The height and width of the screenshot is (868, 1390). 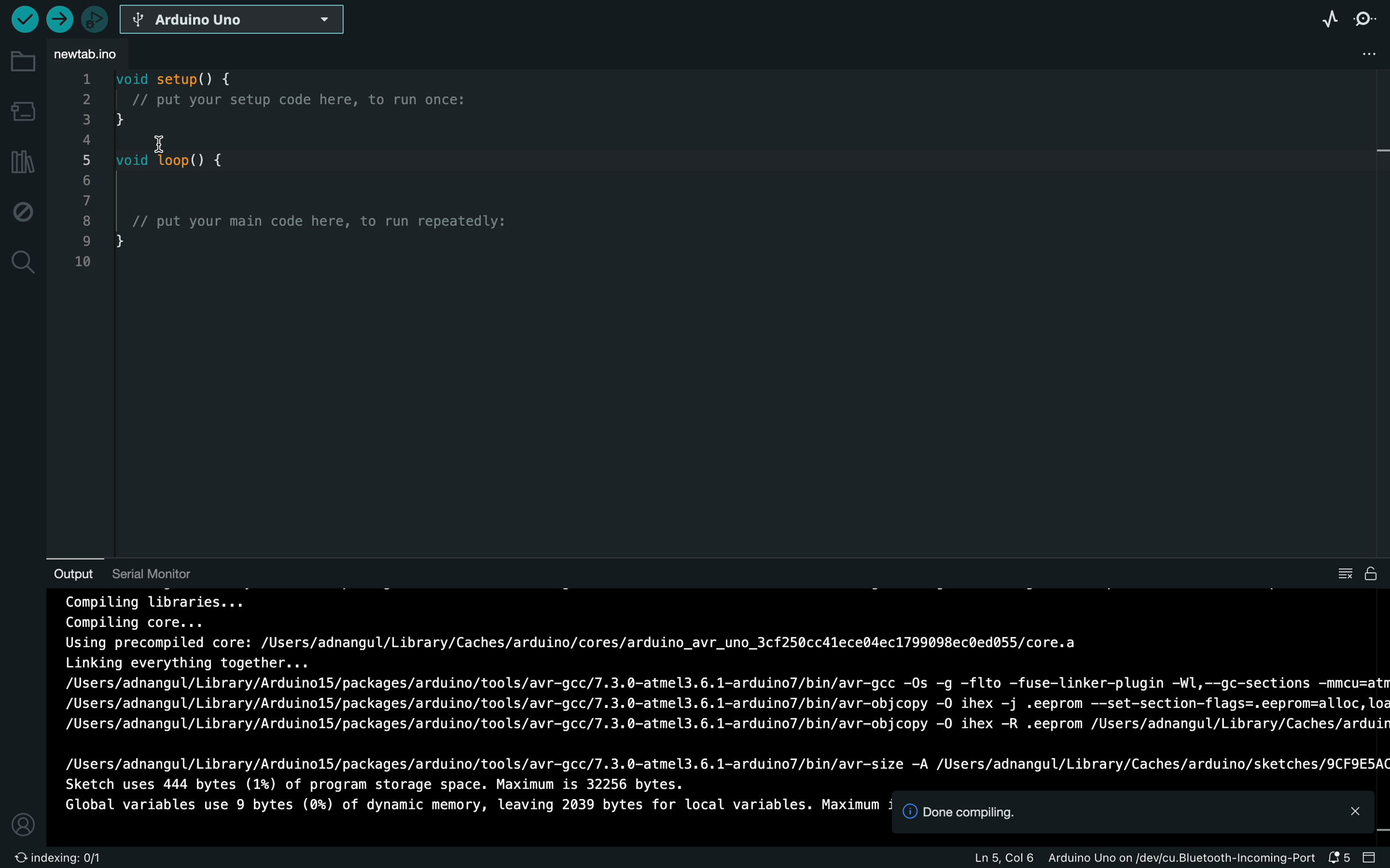 What do you see at coordinates (1339, 52) in the screenshot?
I see `file setting` at bounding box center [1339, 52].